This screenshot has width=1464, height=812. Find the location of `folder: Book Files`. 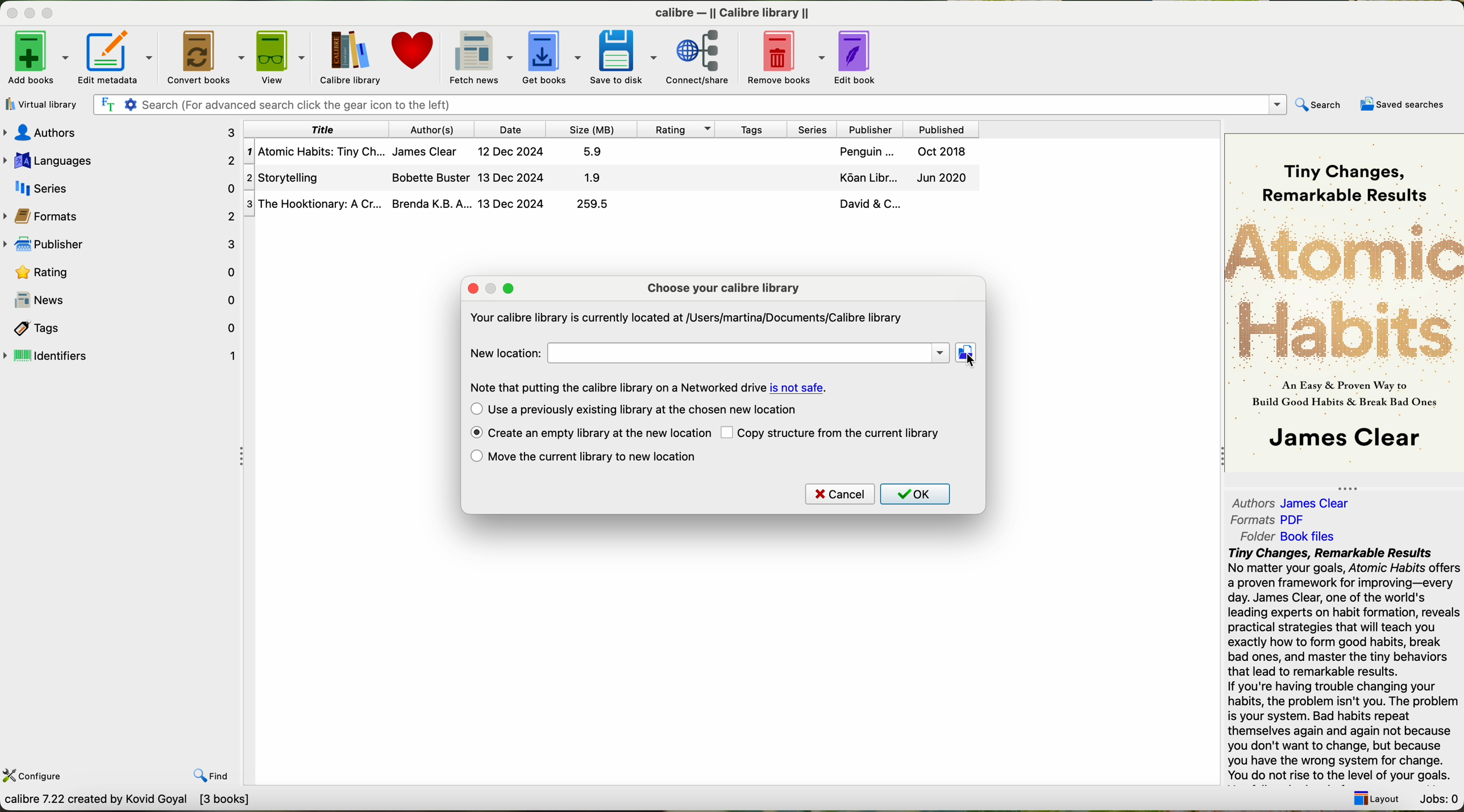

folder: Book Files is located at coordinates (1288, 536).